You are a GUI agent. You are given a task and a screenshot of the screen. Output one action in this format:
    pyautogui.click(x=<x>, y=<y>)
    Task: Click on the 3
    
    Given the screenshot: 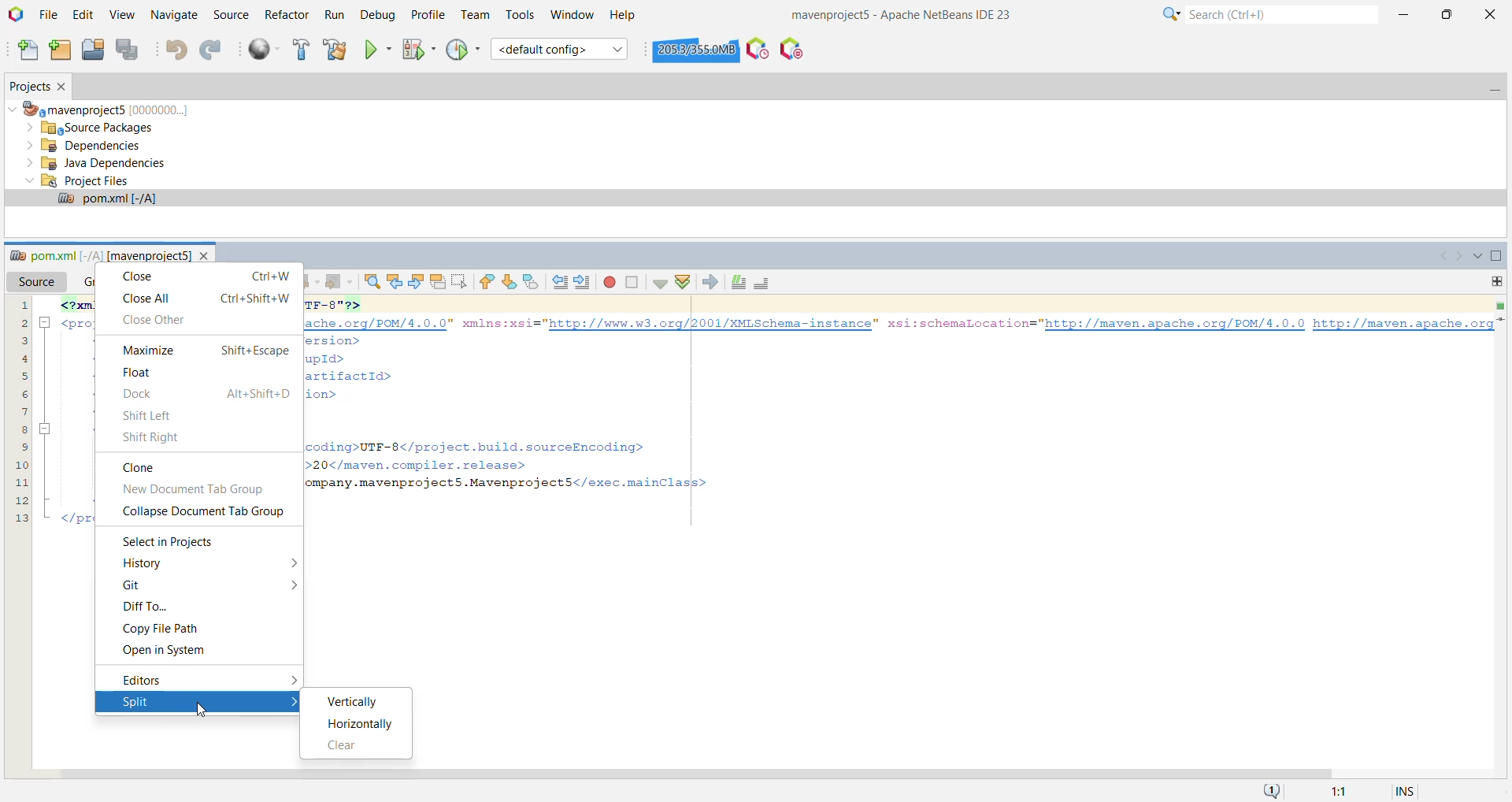 What is the action you would take?
    pyautogui.click(x=21, y=339)
    